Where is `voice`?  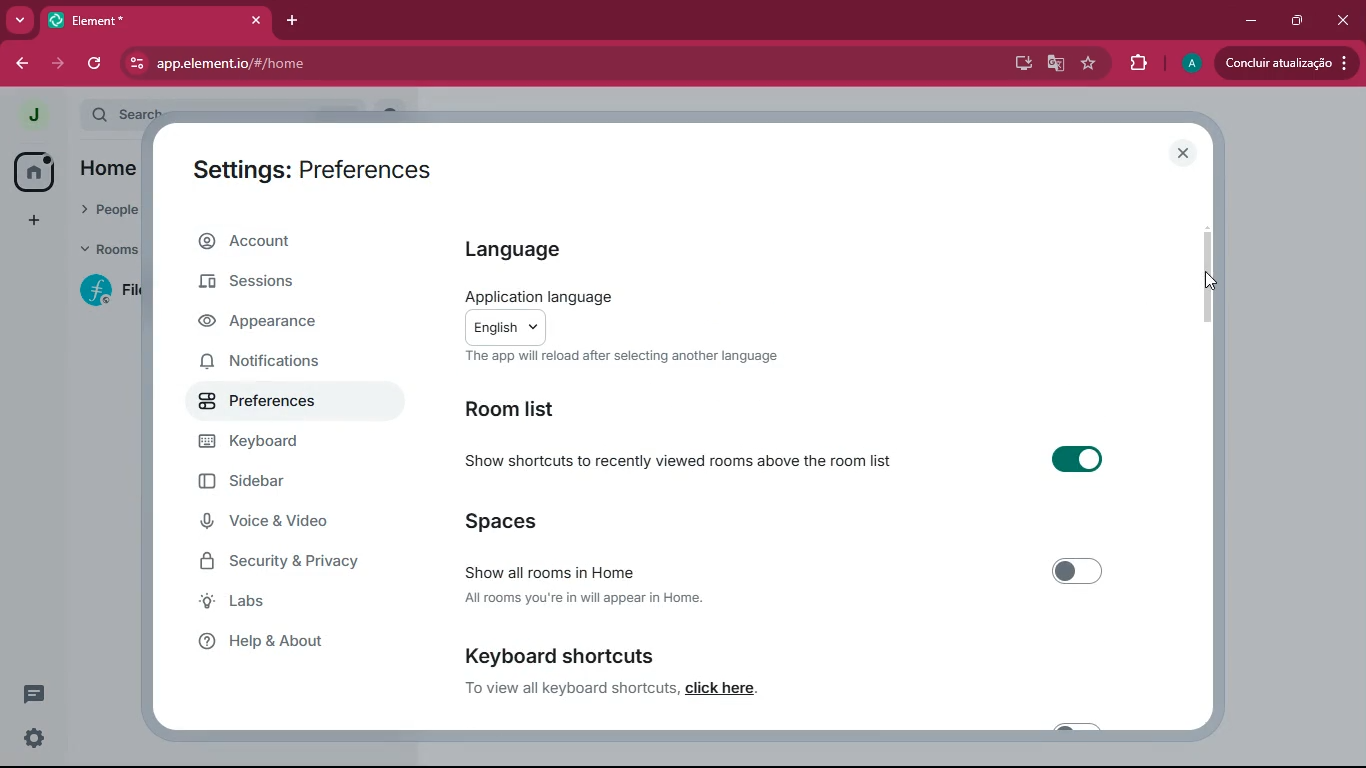
voice is located at coordinates (287, 524).